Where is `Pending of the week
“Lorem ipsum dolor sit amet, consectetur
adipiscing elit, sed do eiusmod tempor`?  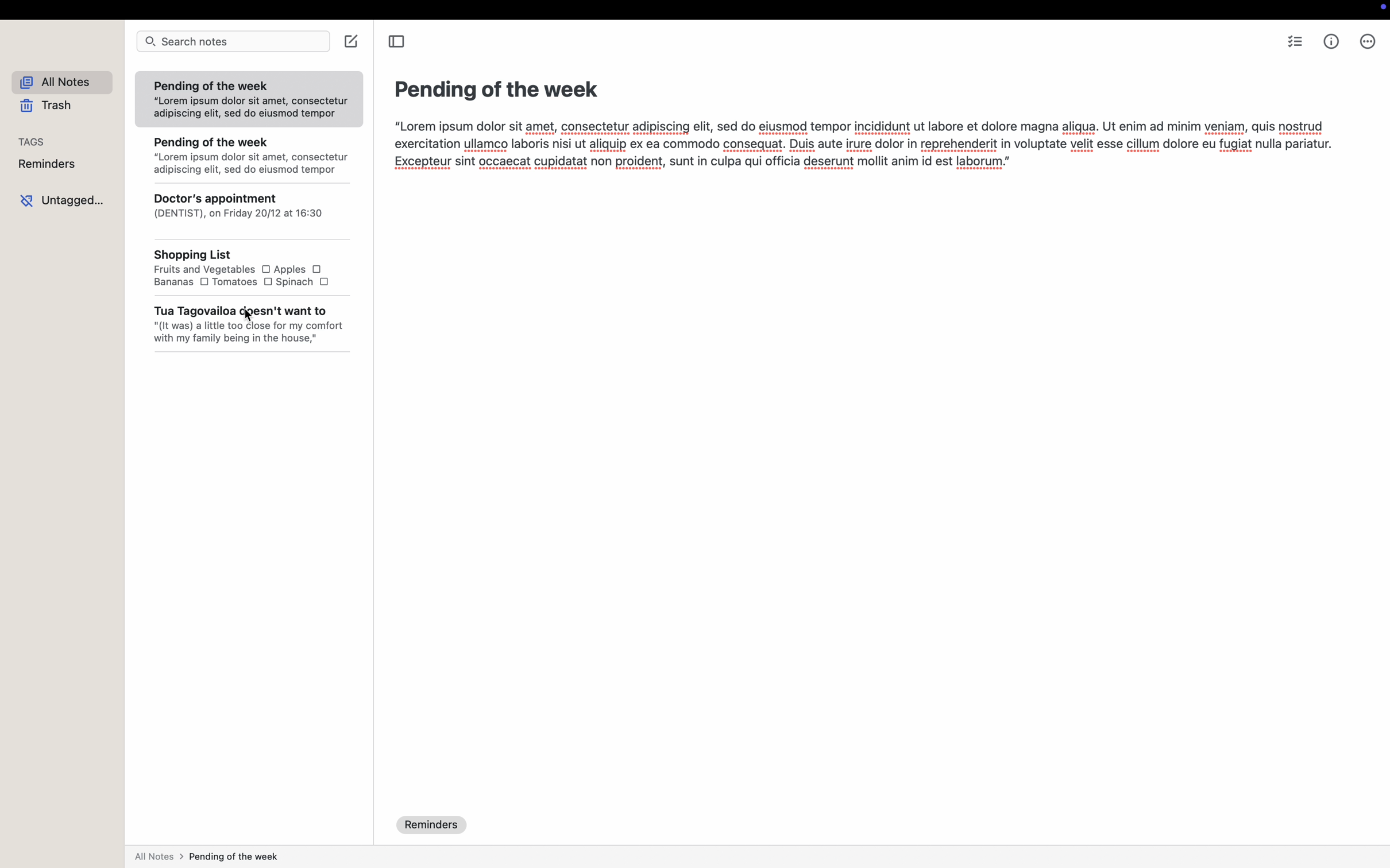 Pending of the week
“Lorem ipsum dolor sit amet, consectetur
adipiscing elit, sed do eiusmod tempor is located at coordinates (249, 154).